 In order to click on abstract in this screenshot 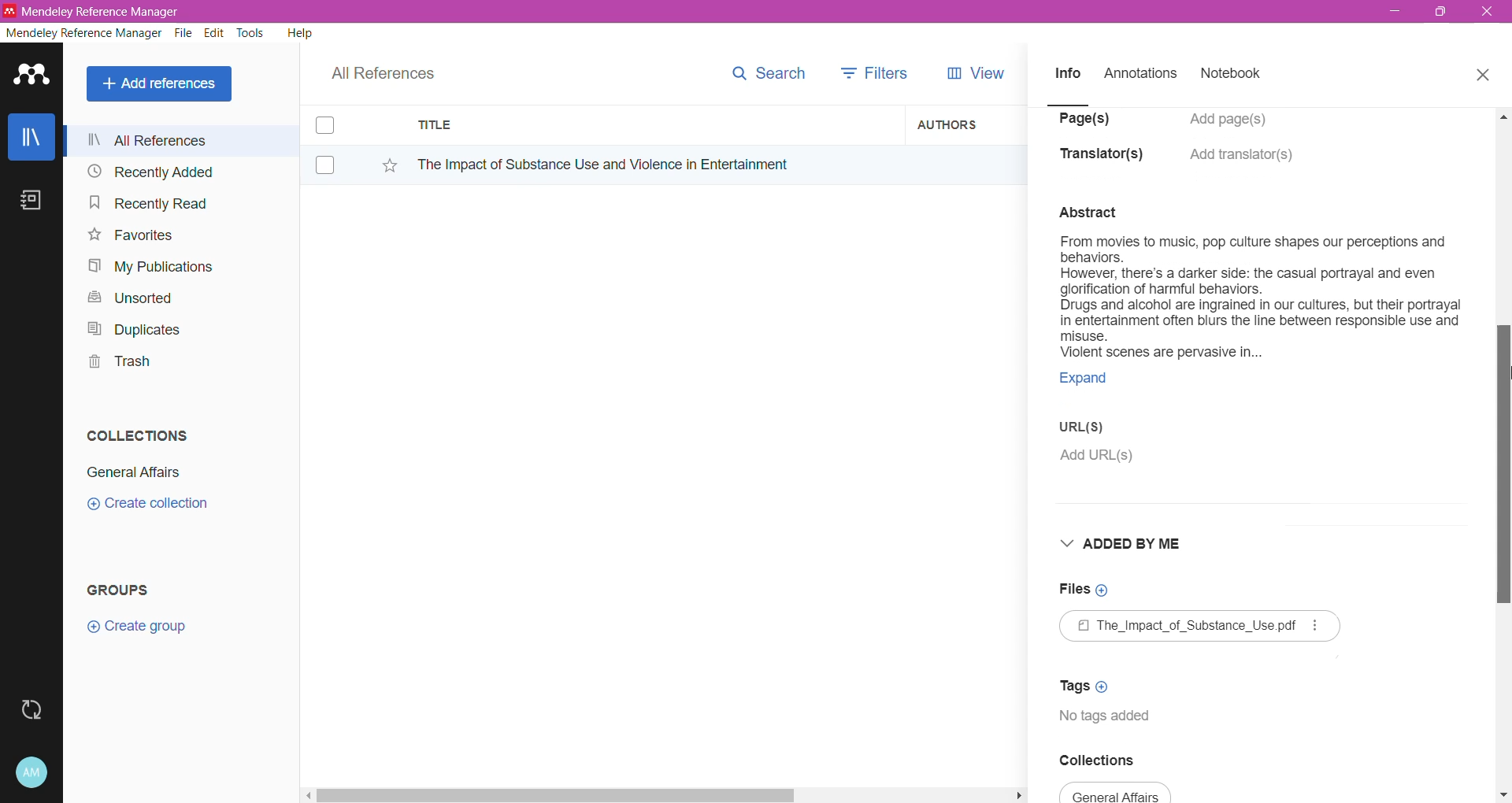, I will do `click(1248, 282)`.